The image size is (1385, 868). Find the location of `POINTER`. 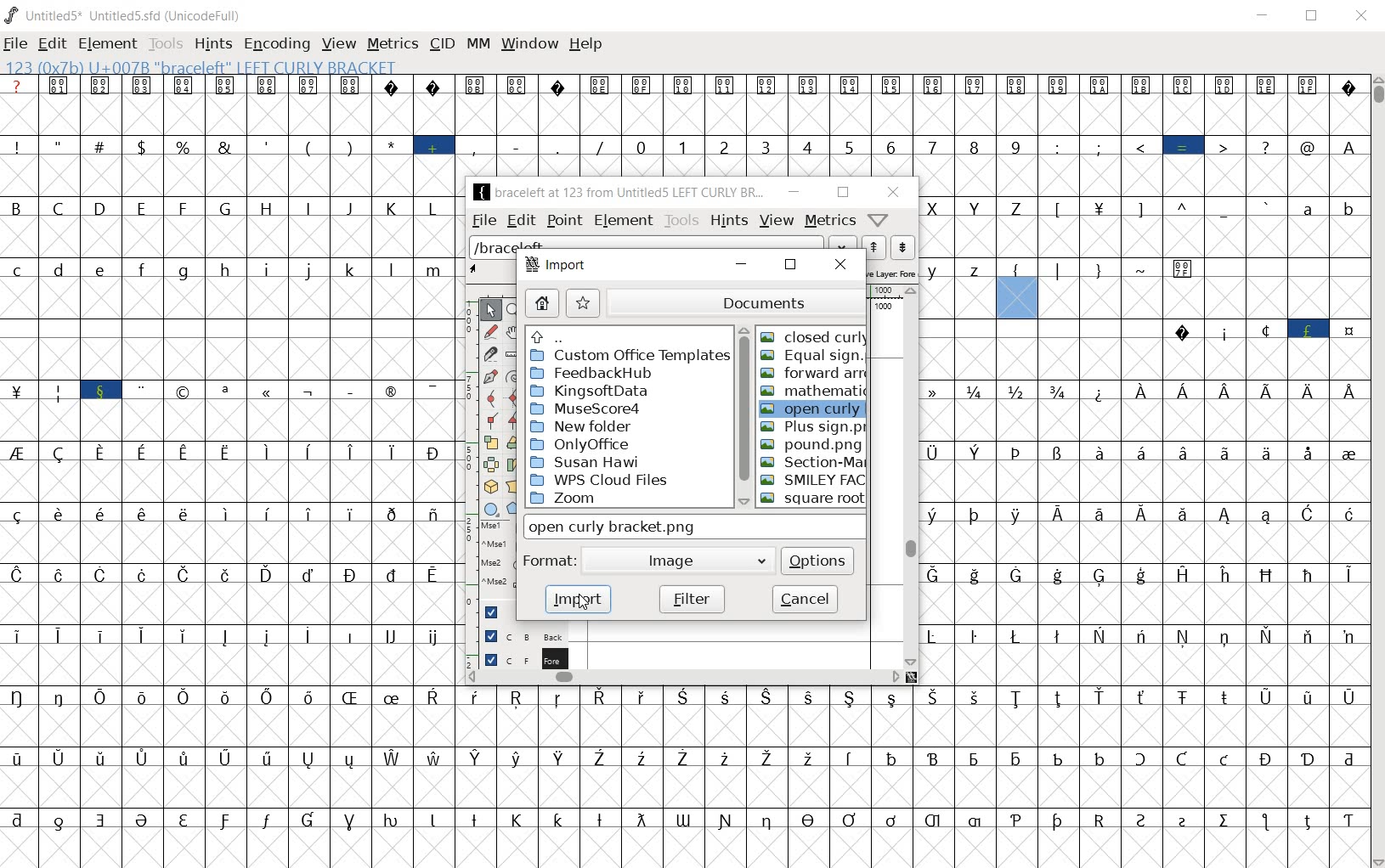

POINTER is located at coordinates (490, 310).